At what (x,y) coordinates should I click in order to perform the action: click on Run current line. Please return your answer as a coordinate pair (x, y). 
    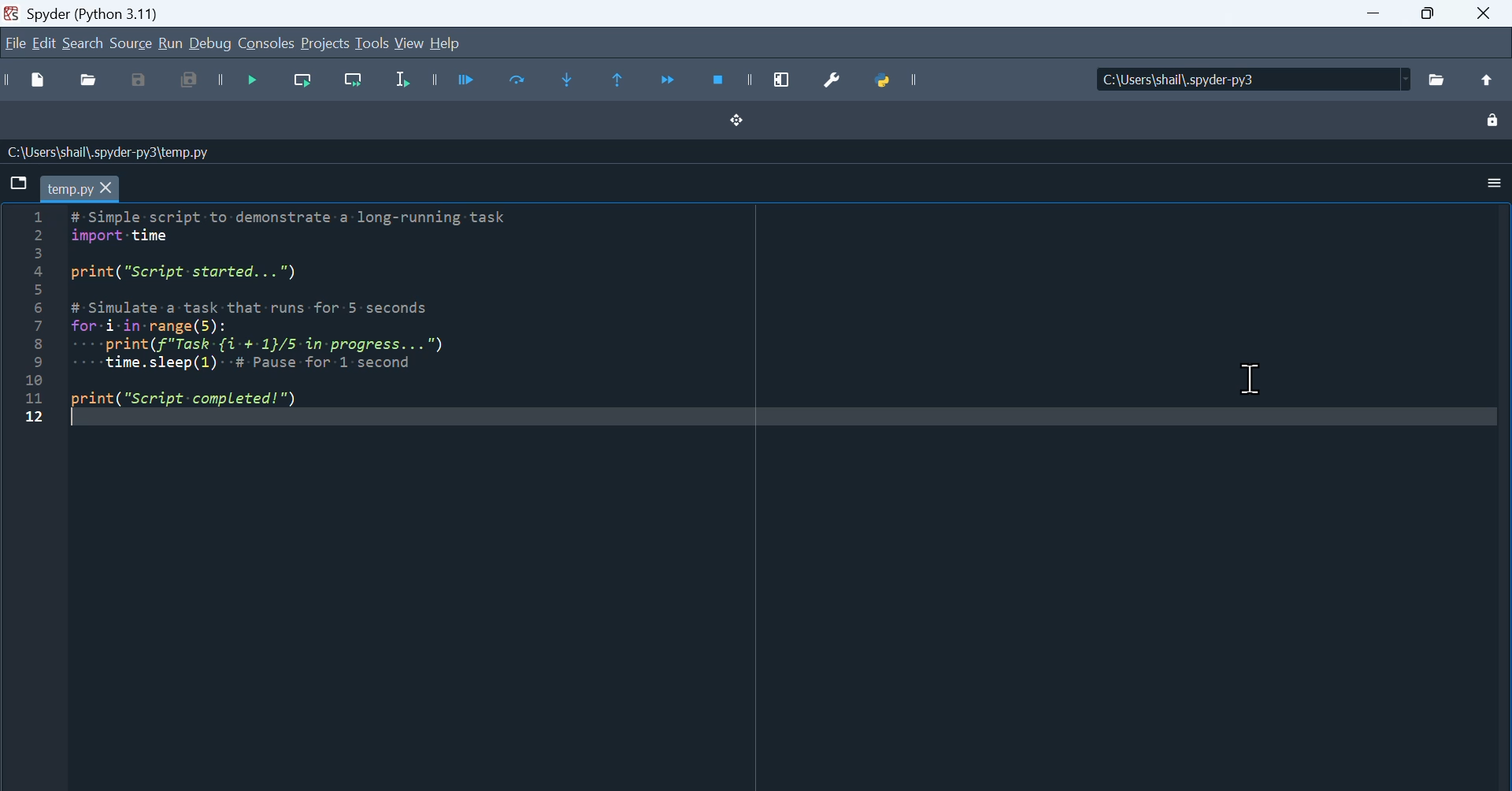
    Looking at the image, I should click on (303, 80).